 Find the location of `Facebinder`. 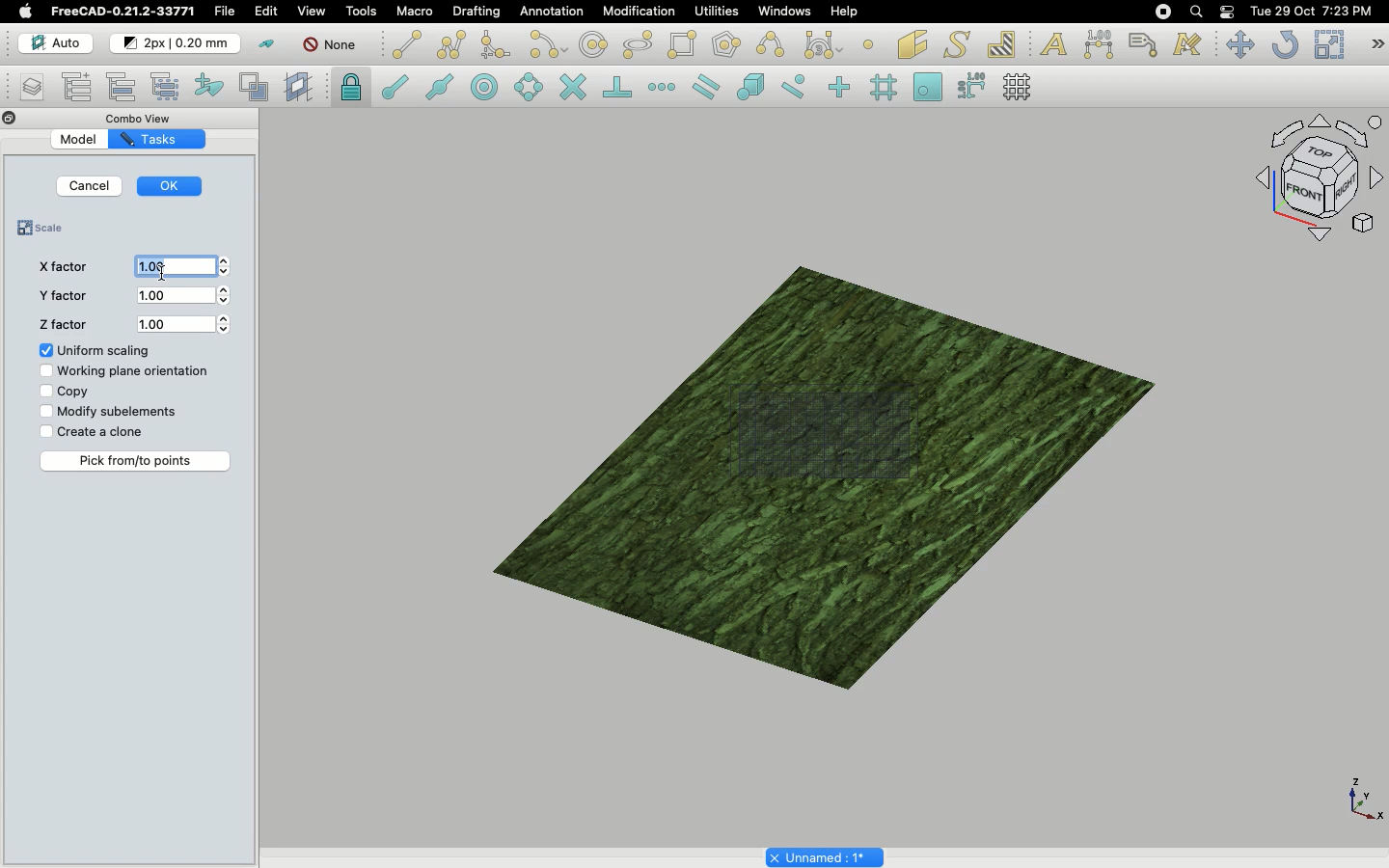

Facebinder is located at coordinates (912, 43).